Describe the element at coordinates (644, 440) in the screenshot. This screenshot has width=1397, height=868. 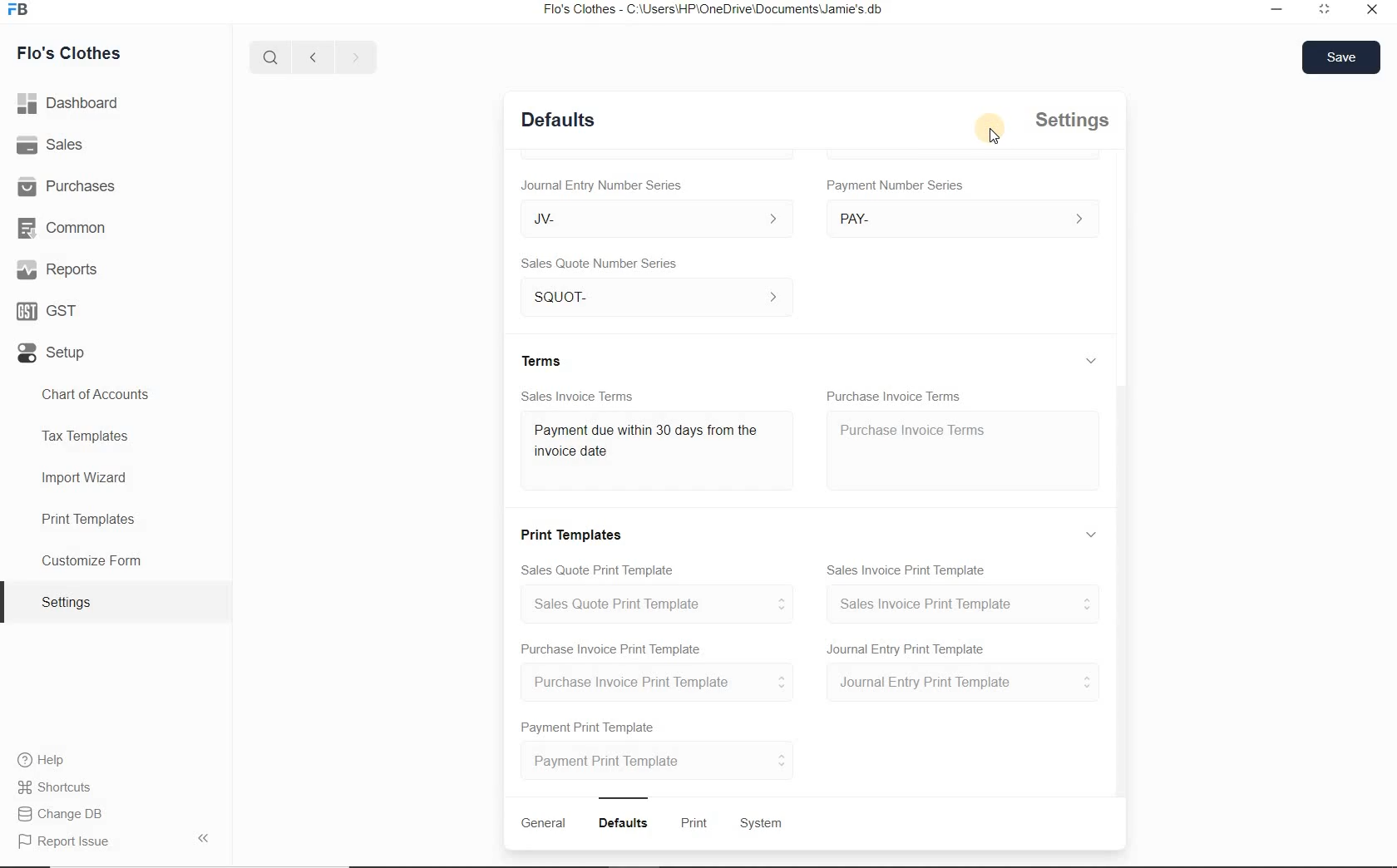
I see `Payment due within 30days from the invoice day.` at that location.